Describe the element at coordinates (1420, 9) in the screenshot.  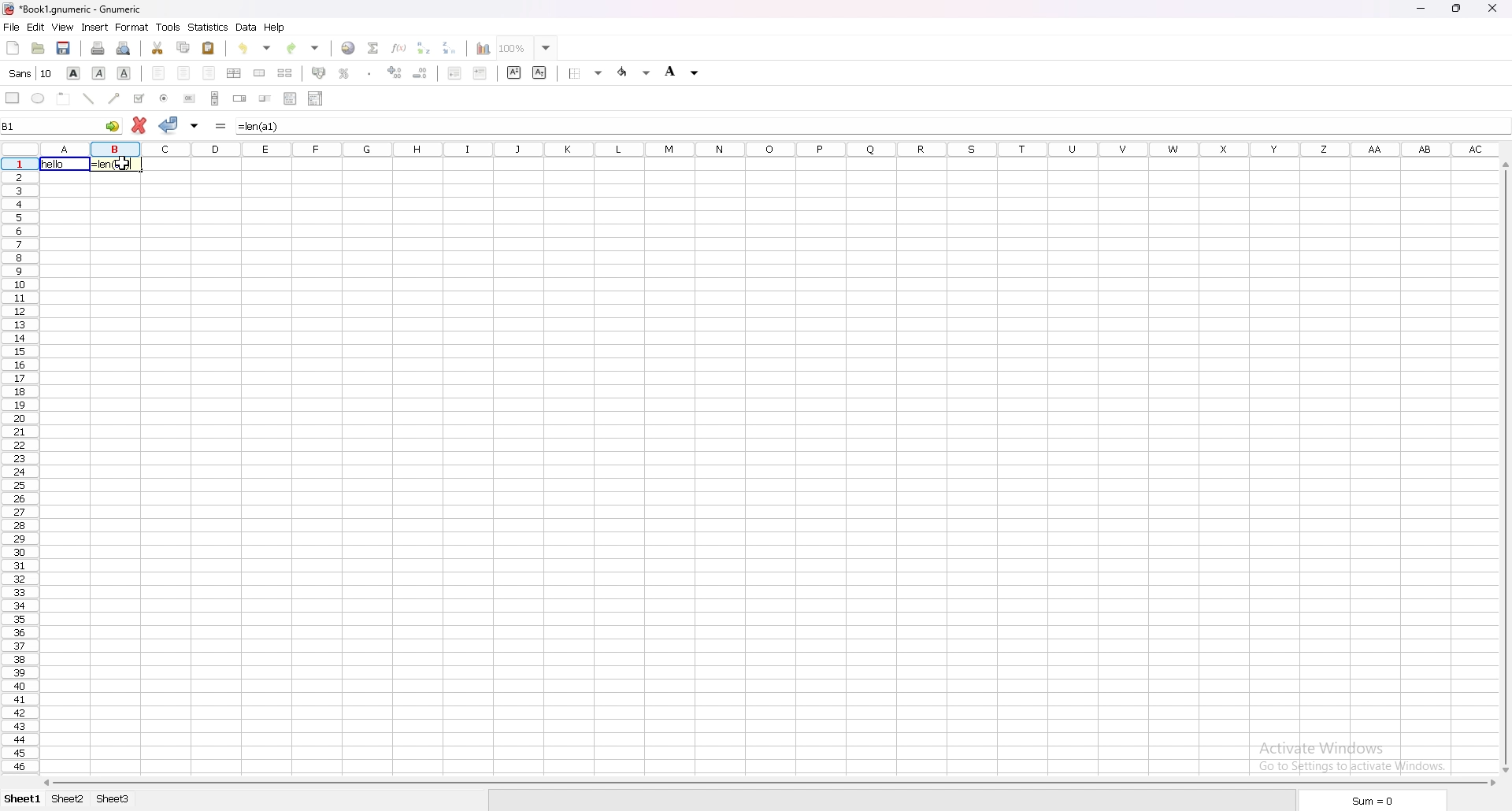
I see `minimize` at that location.